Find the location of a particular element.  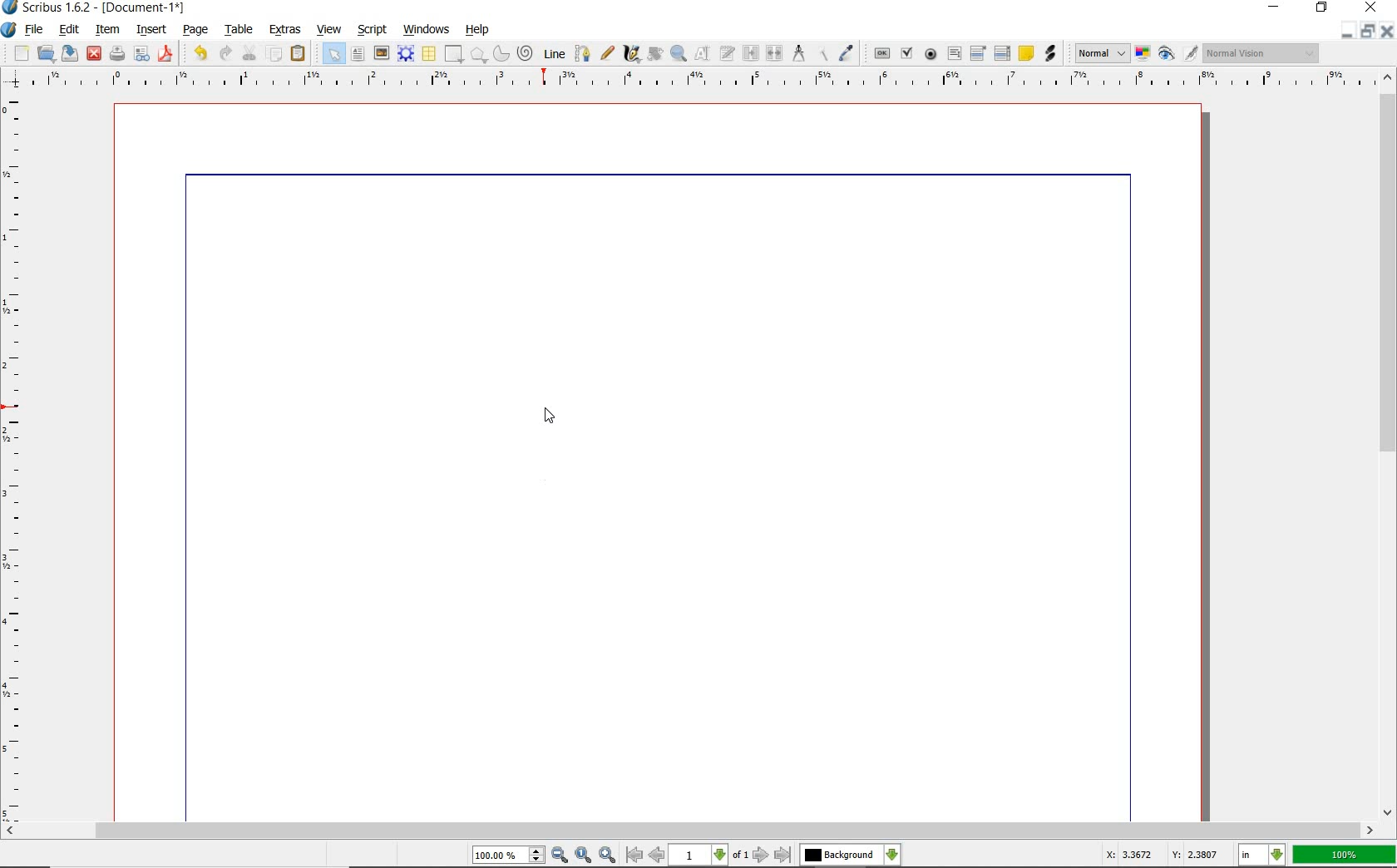

Bezier curve is located at coordinates (583, 52).